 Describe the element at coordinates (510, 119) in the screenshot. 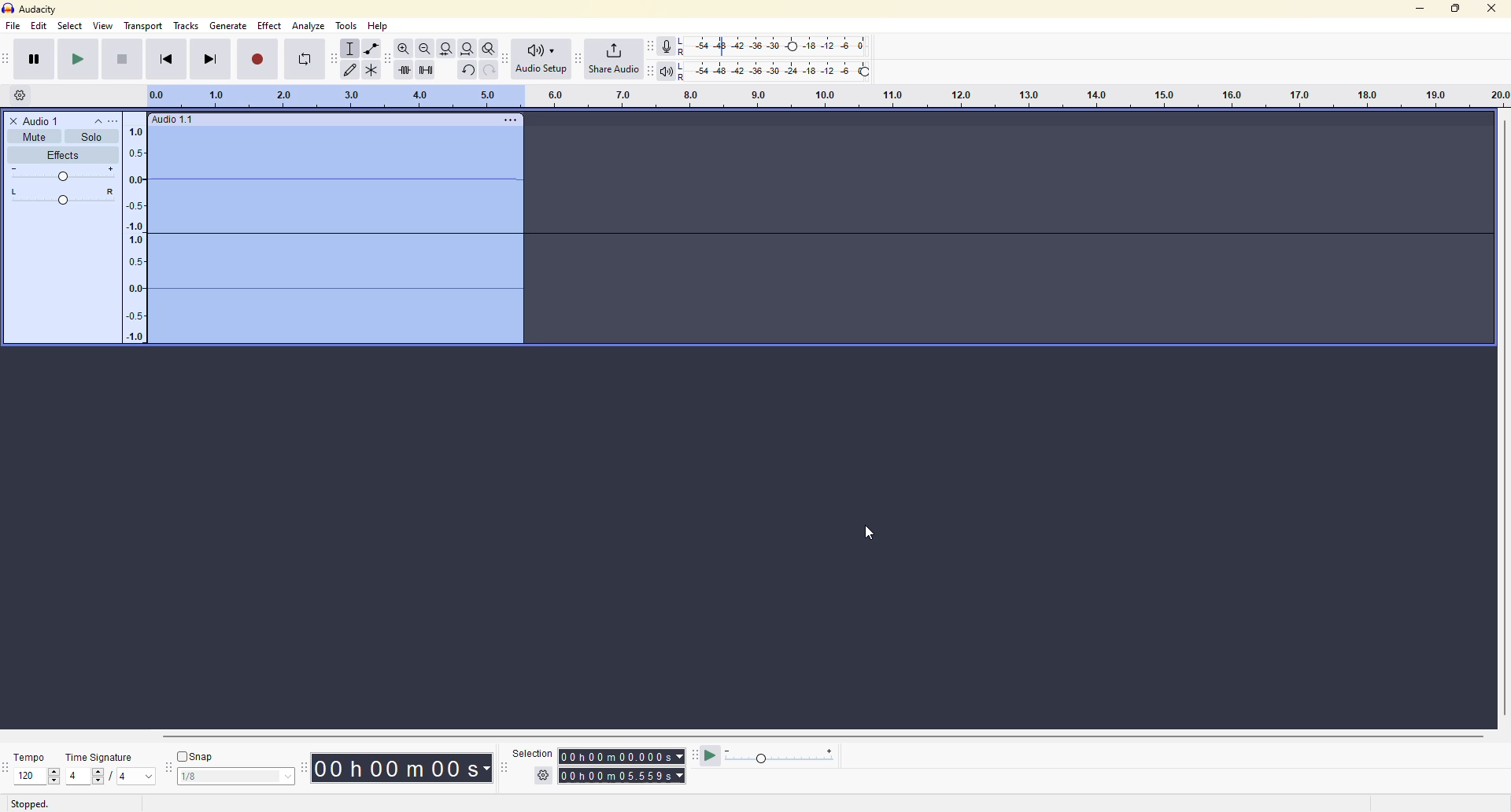

I see `more` at that location.